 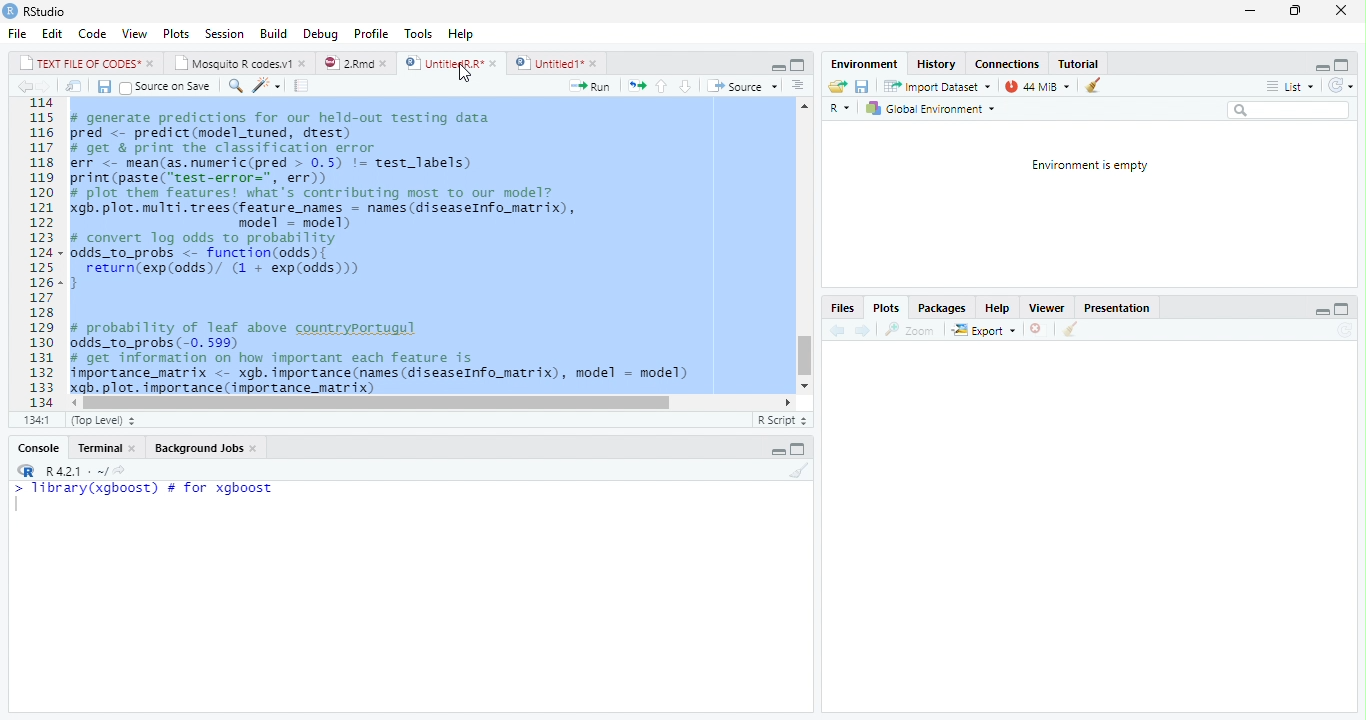 What do you see at coordinates (837, 85) in the screenshot?
I see `Open folder` at bounding box center [837, 85].